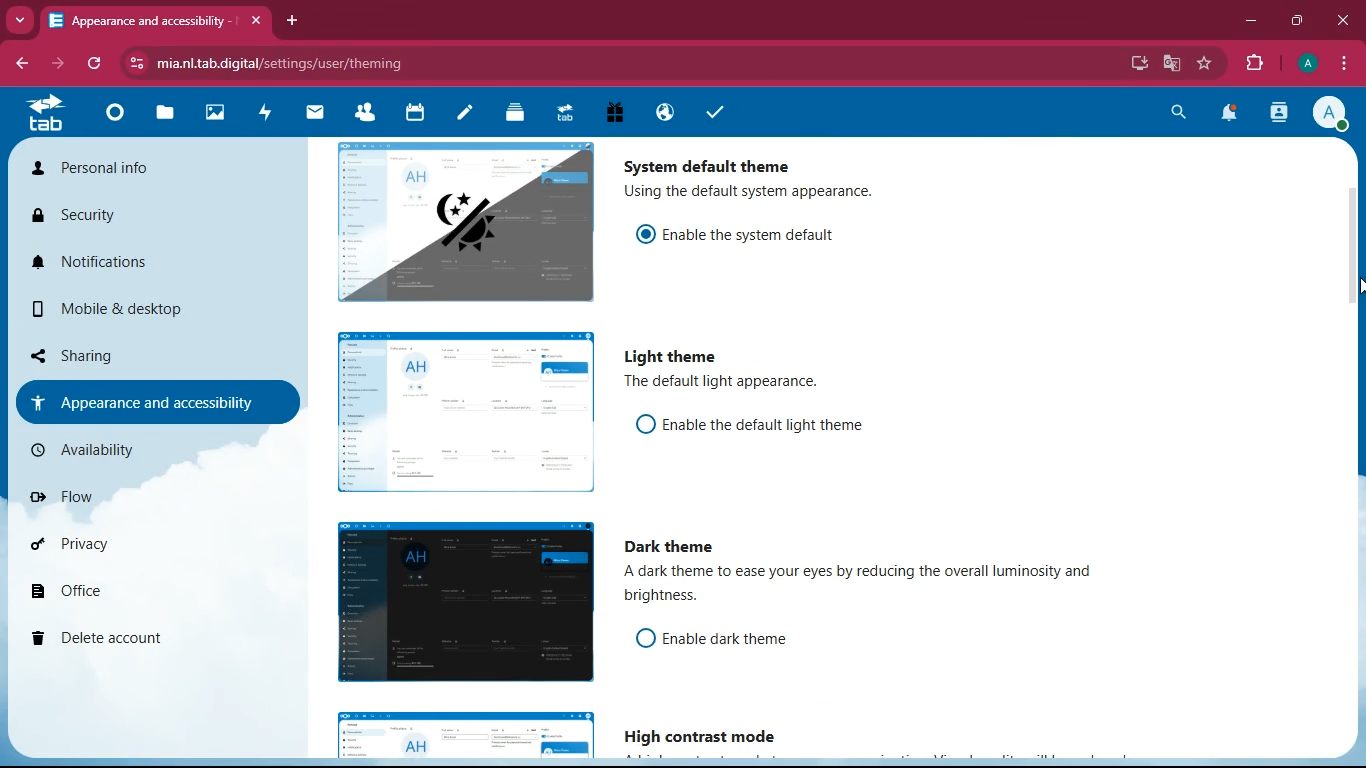 The width and height of the screenshot is (1366, 768). I want to click on minimize, so click(1251, 24).